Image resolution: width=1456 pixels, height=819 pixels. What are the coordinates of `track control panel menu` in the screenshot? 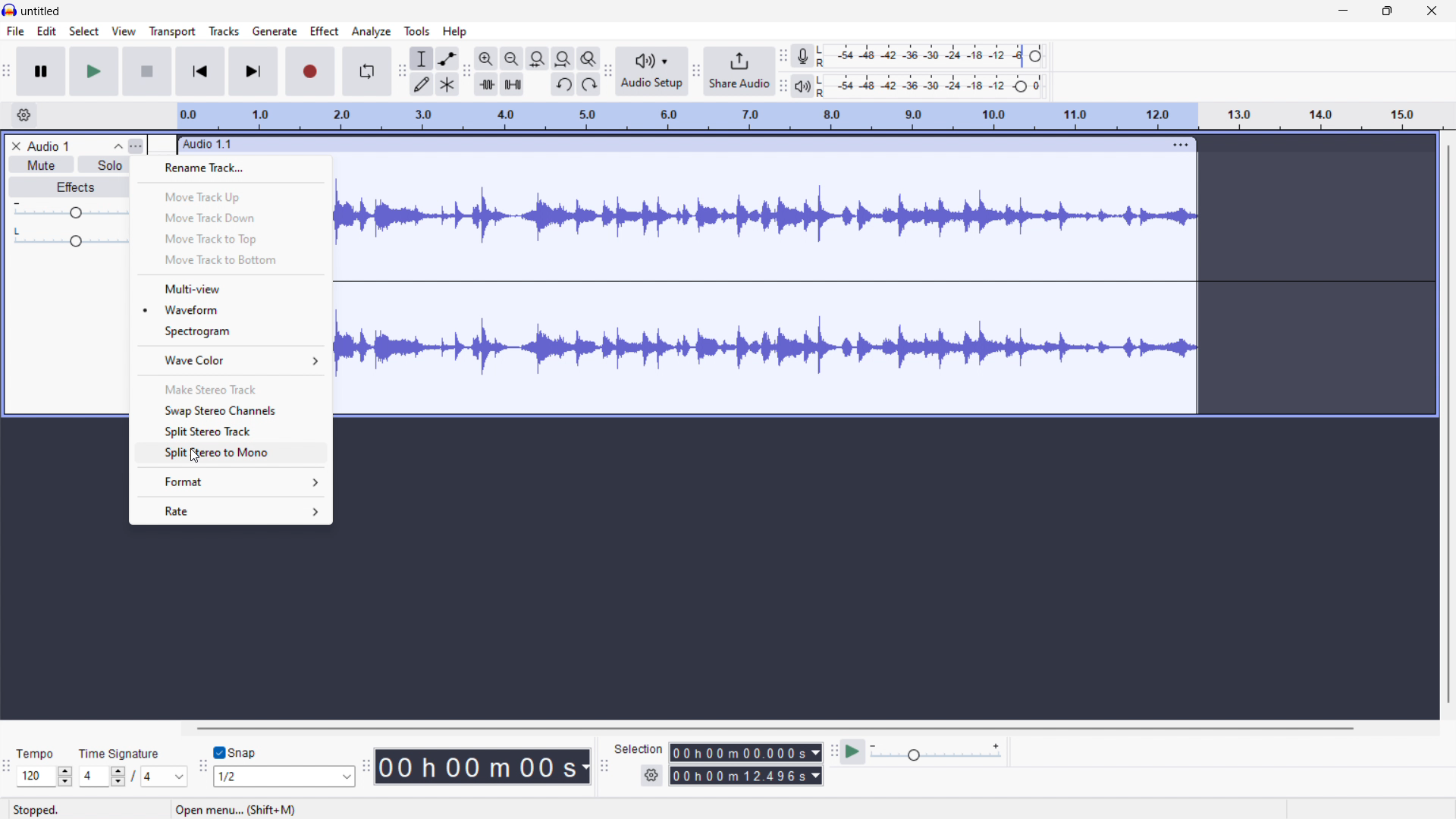 It's located at (136, 146).